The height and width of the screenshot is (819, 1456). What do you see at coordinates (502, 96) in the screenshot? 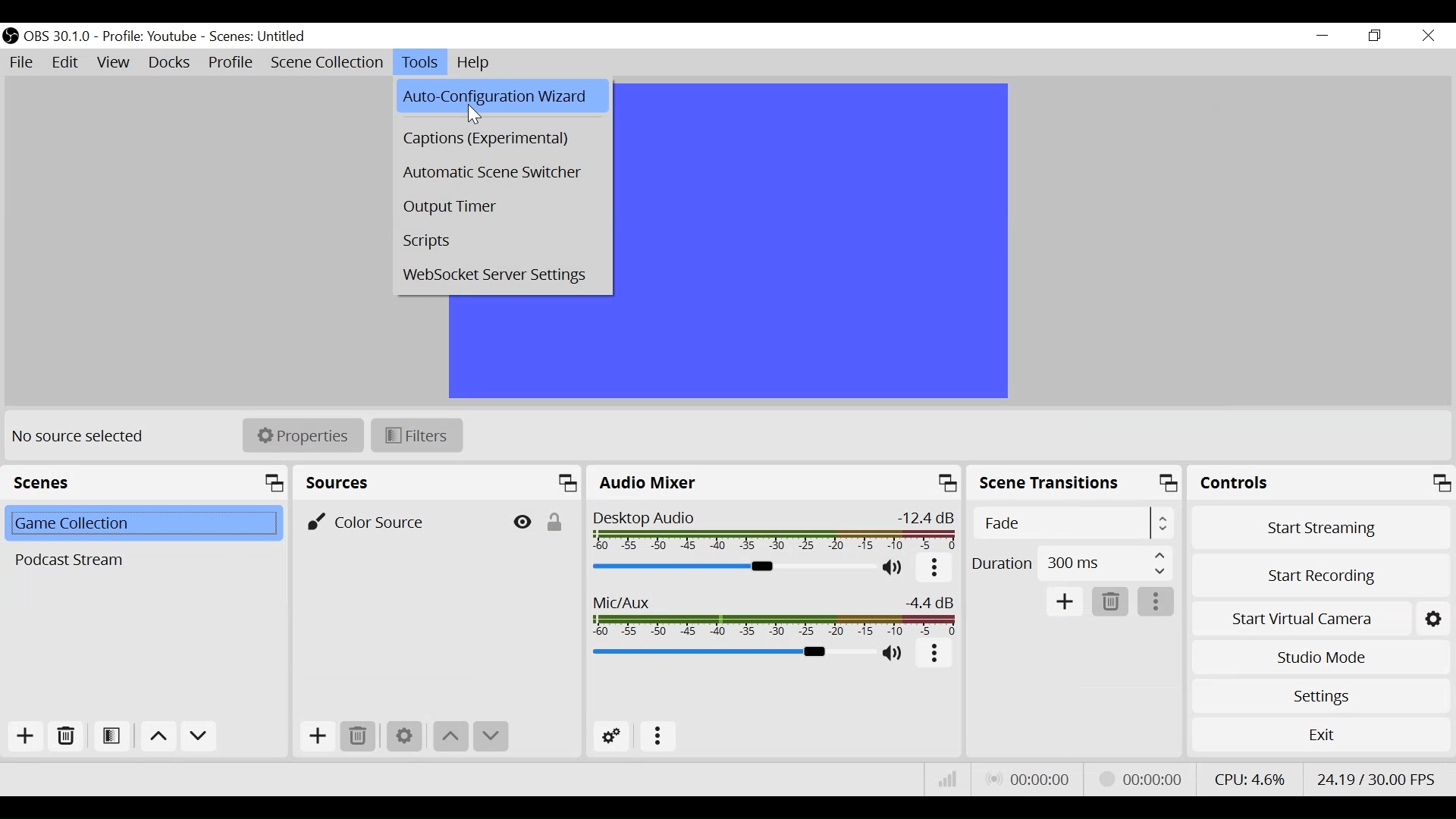
I see `Auto-Configuration Wizard` at bounding box center [502, 96].